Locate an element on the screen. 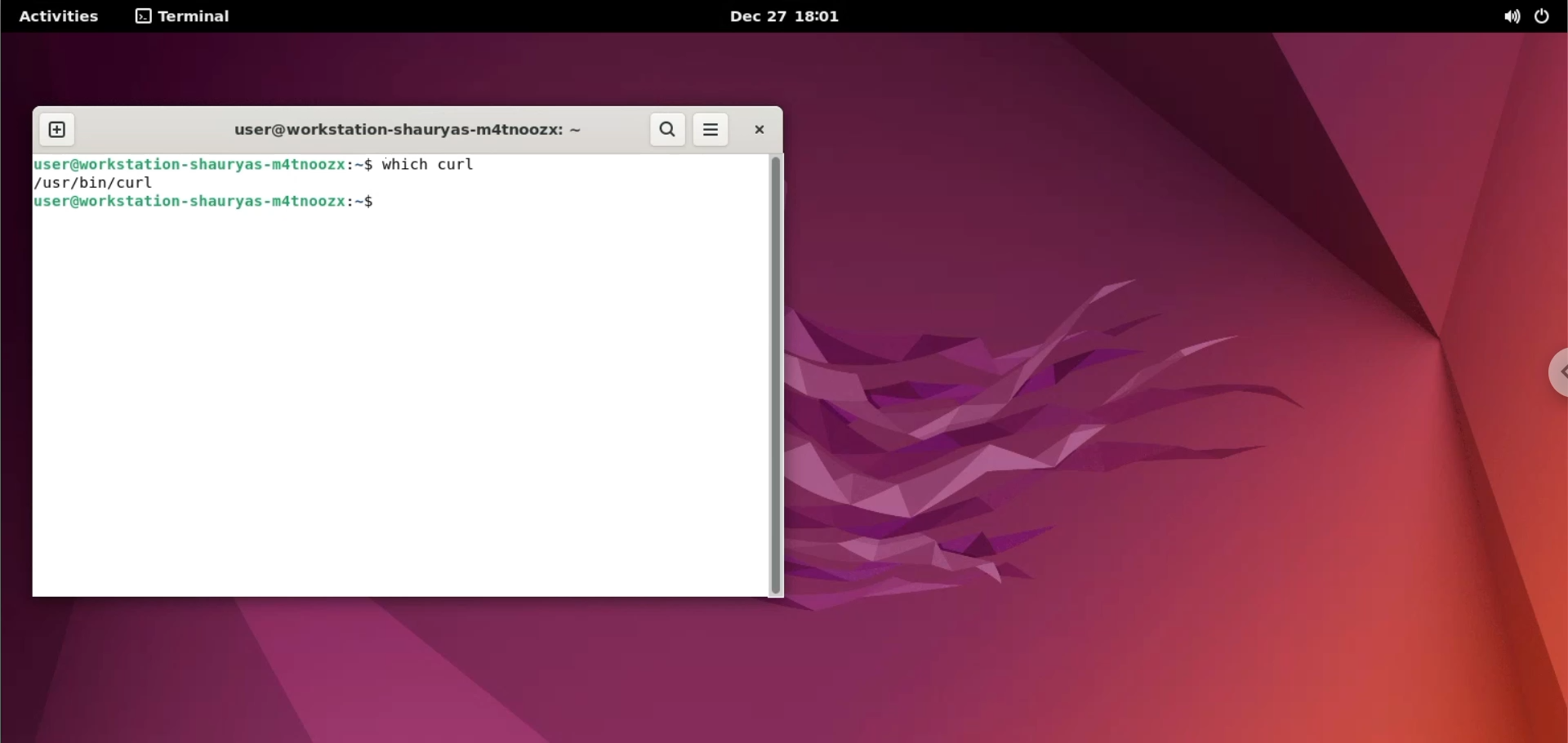 The width and height of the screenshot is (1568, 743). sound options is located at coordinates (1508, 17).